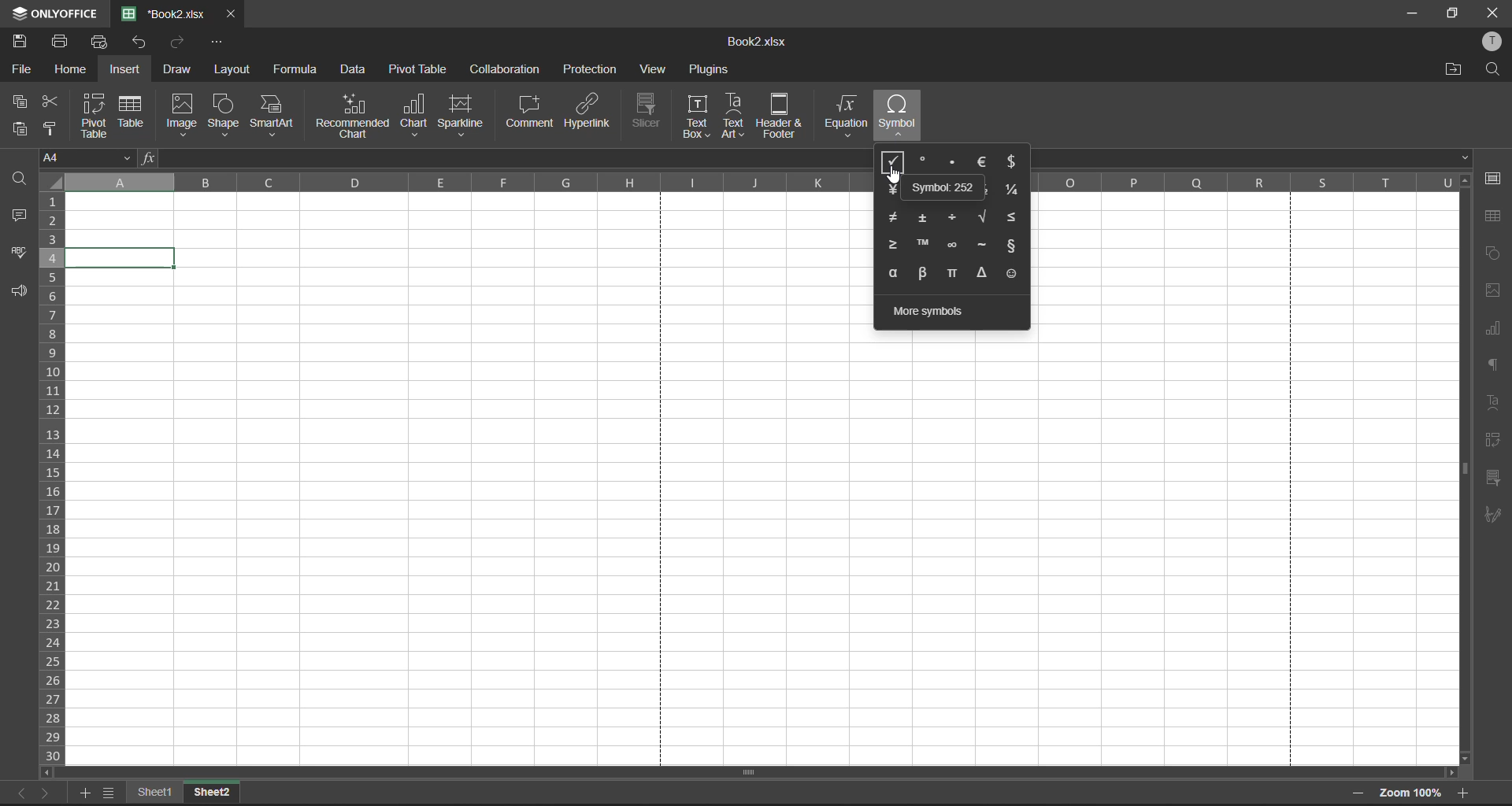  I want to click on zoom in, so click(1464, 790).